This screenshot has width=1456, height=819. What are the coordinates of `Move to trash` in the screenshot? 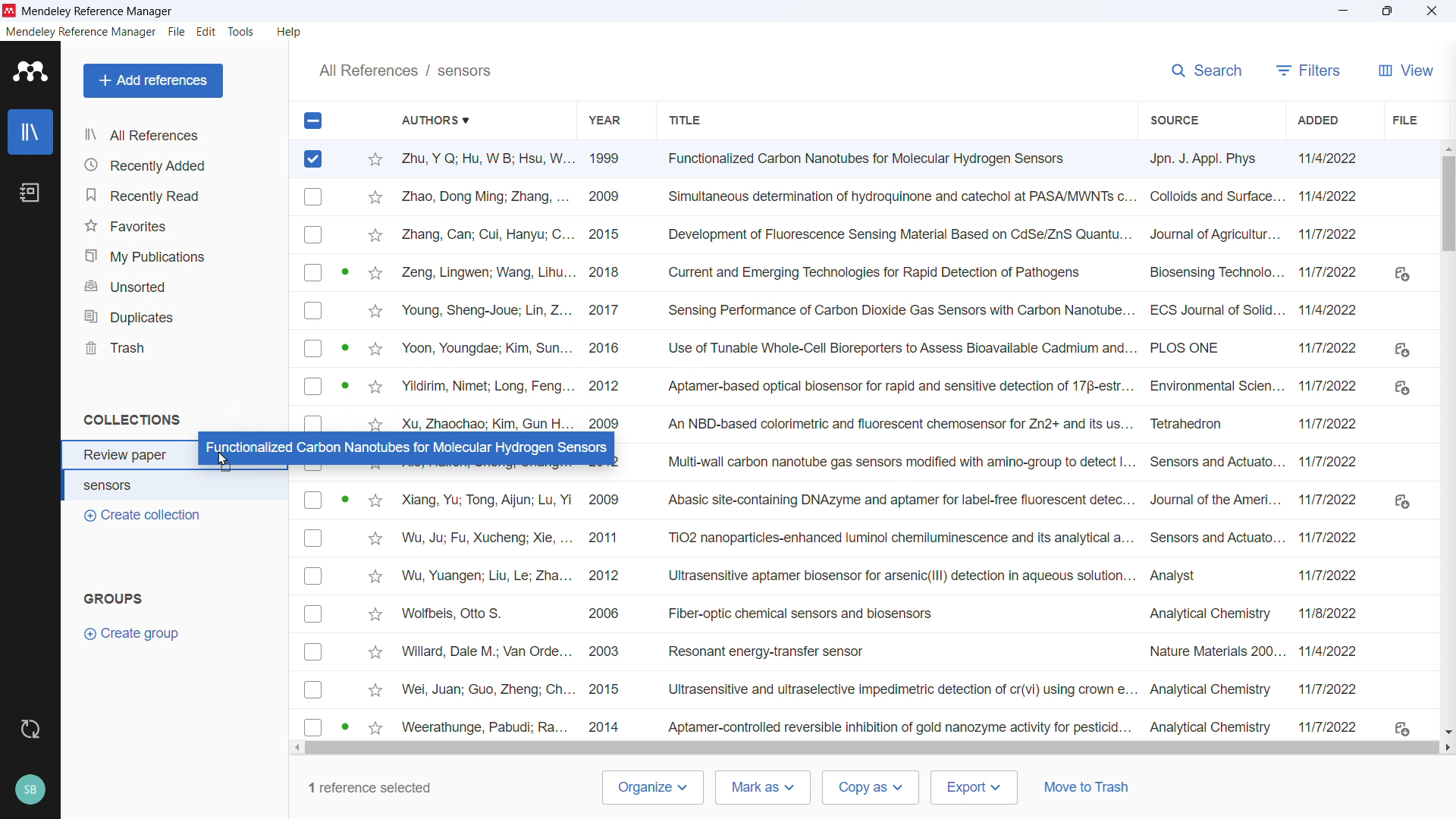 It's located at (1087, 786).